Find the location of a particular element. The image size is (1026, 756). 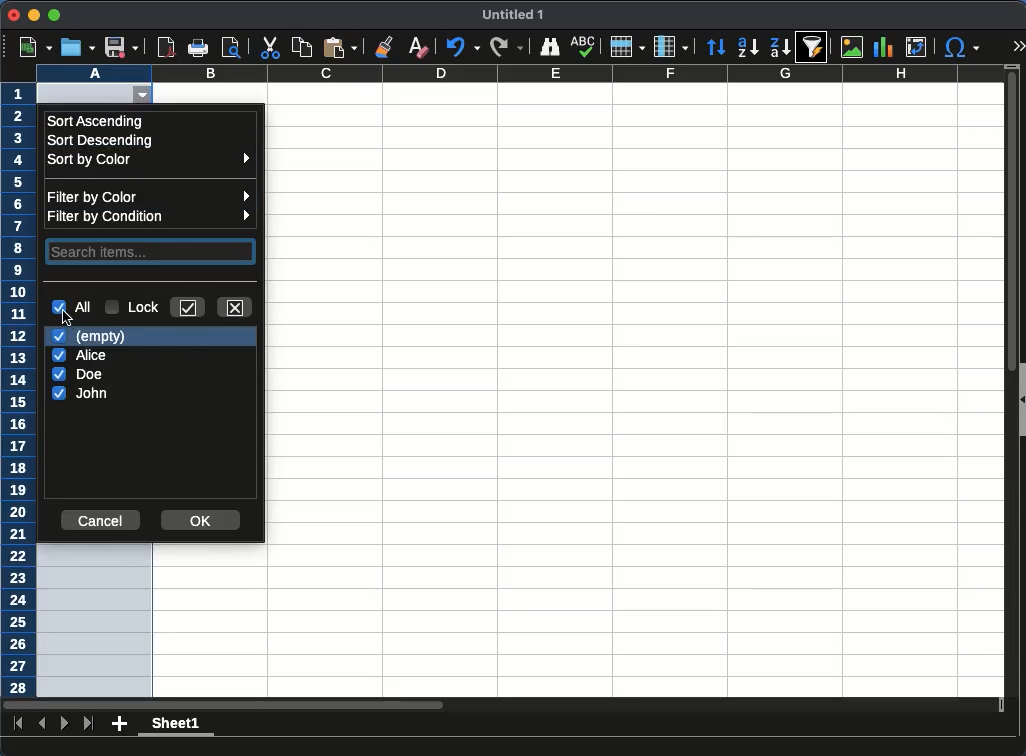

search is located at coordinates (152, 250).